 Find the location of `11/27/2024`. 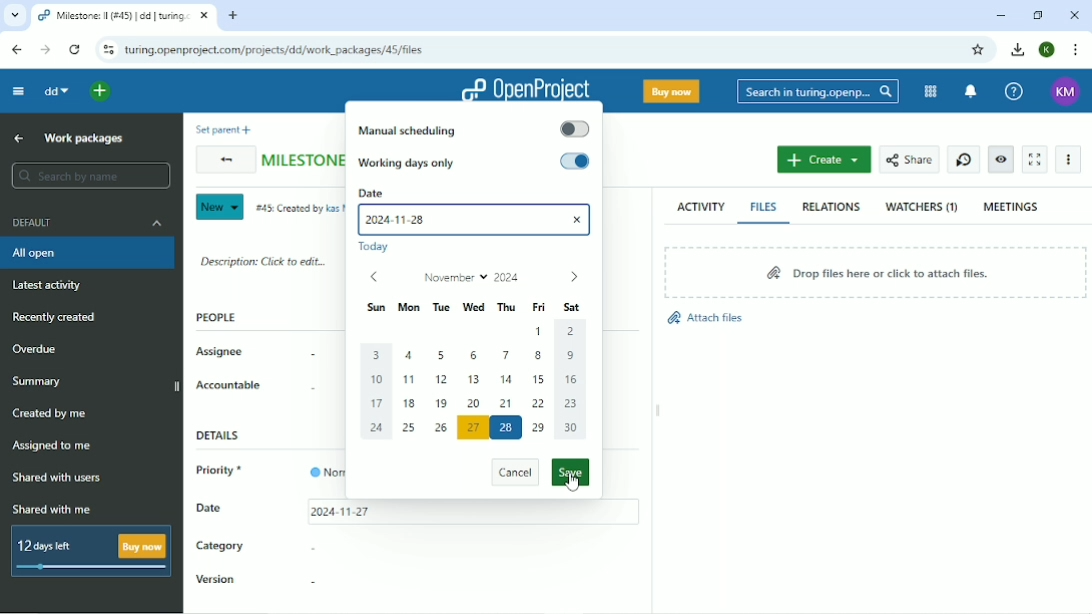

11/27/2024 is located at coordinates (340, 513).